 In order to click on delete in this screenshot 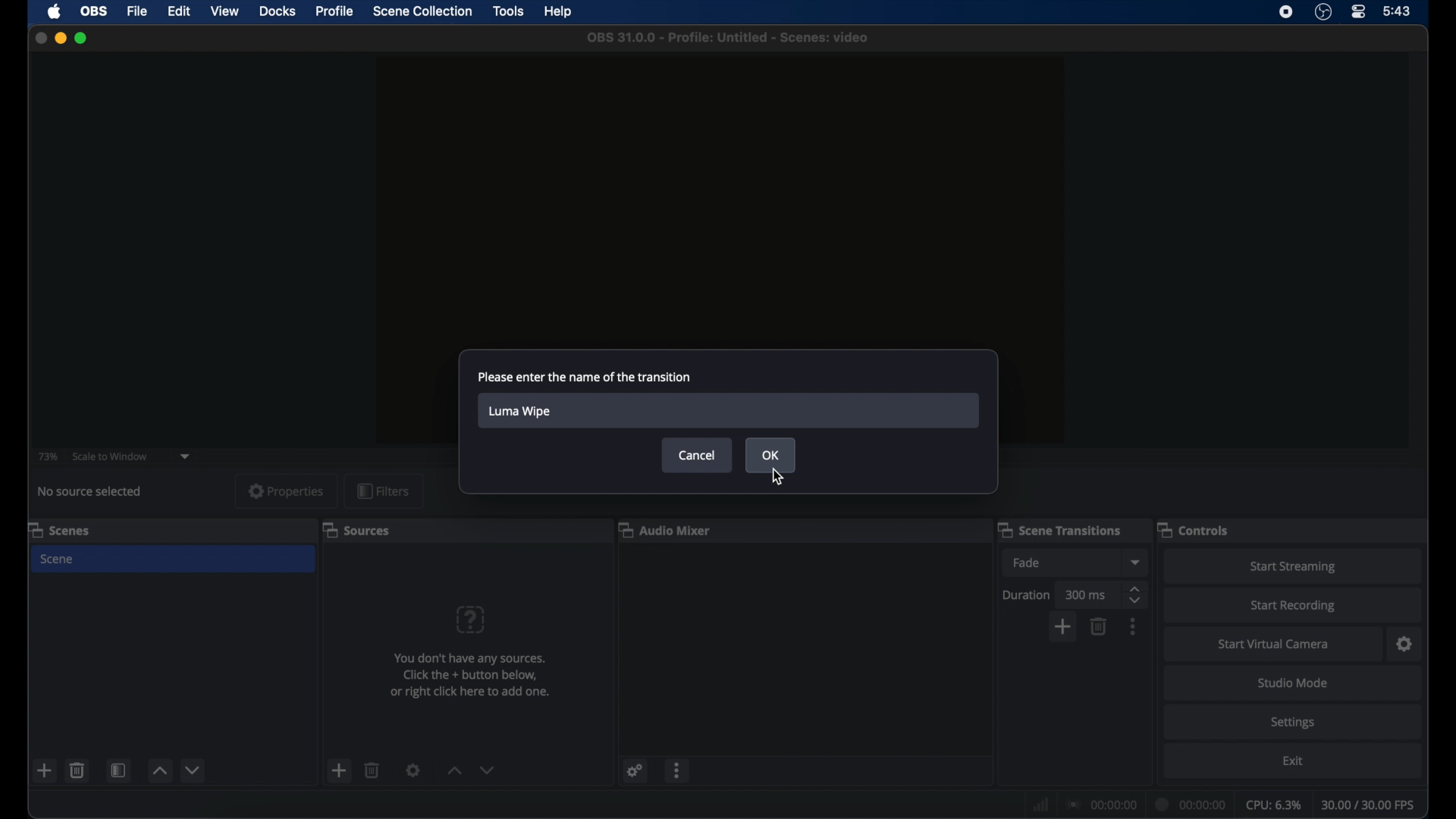, I will do `click(372, 770)`.